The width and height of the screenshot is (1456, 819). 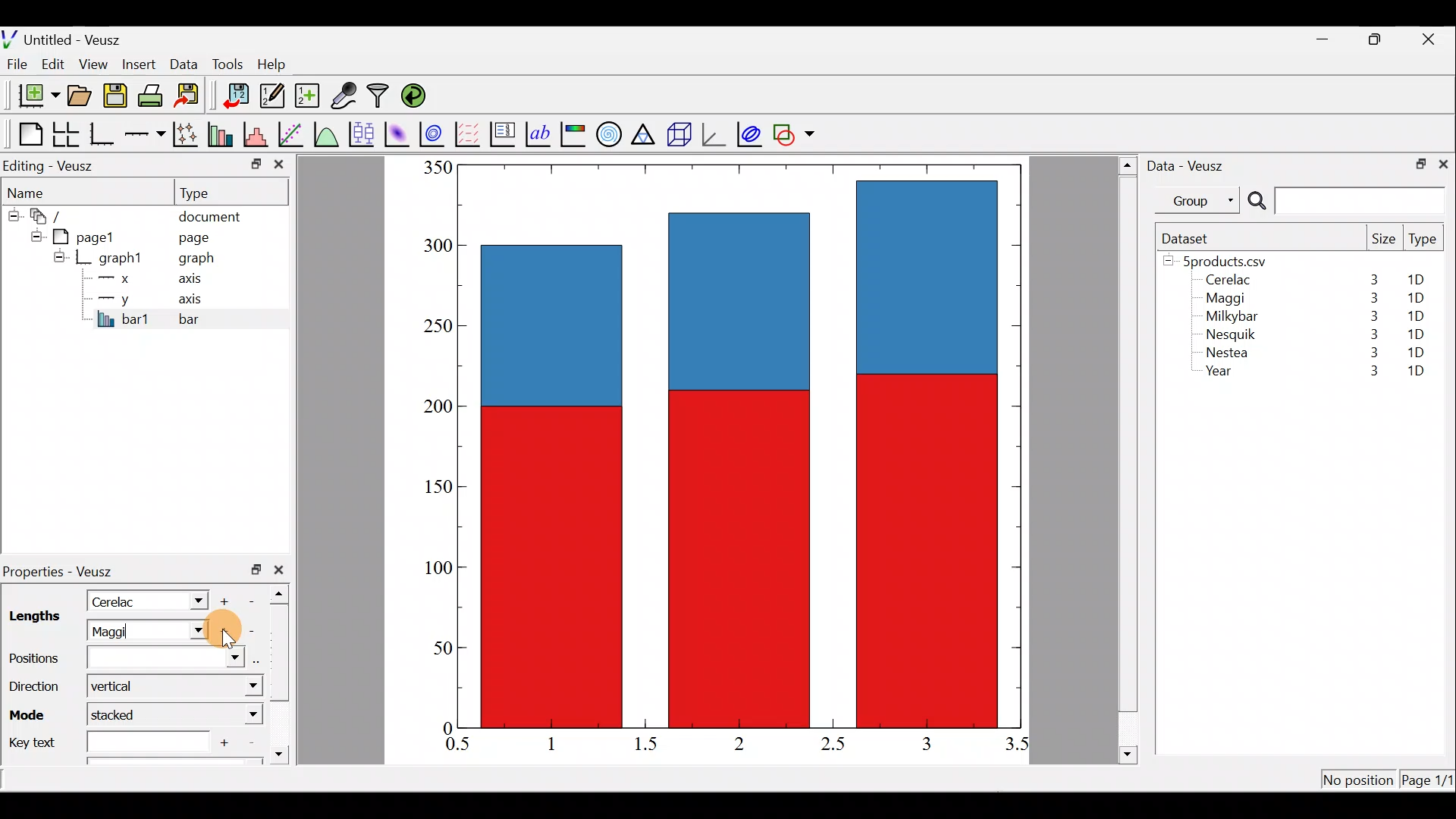 What do you see at coordinates (1366, 372) in the screenshot?
I see `3` at bounding box center [1366, 372].